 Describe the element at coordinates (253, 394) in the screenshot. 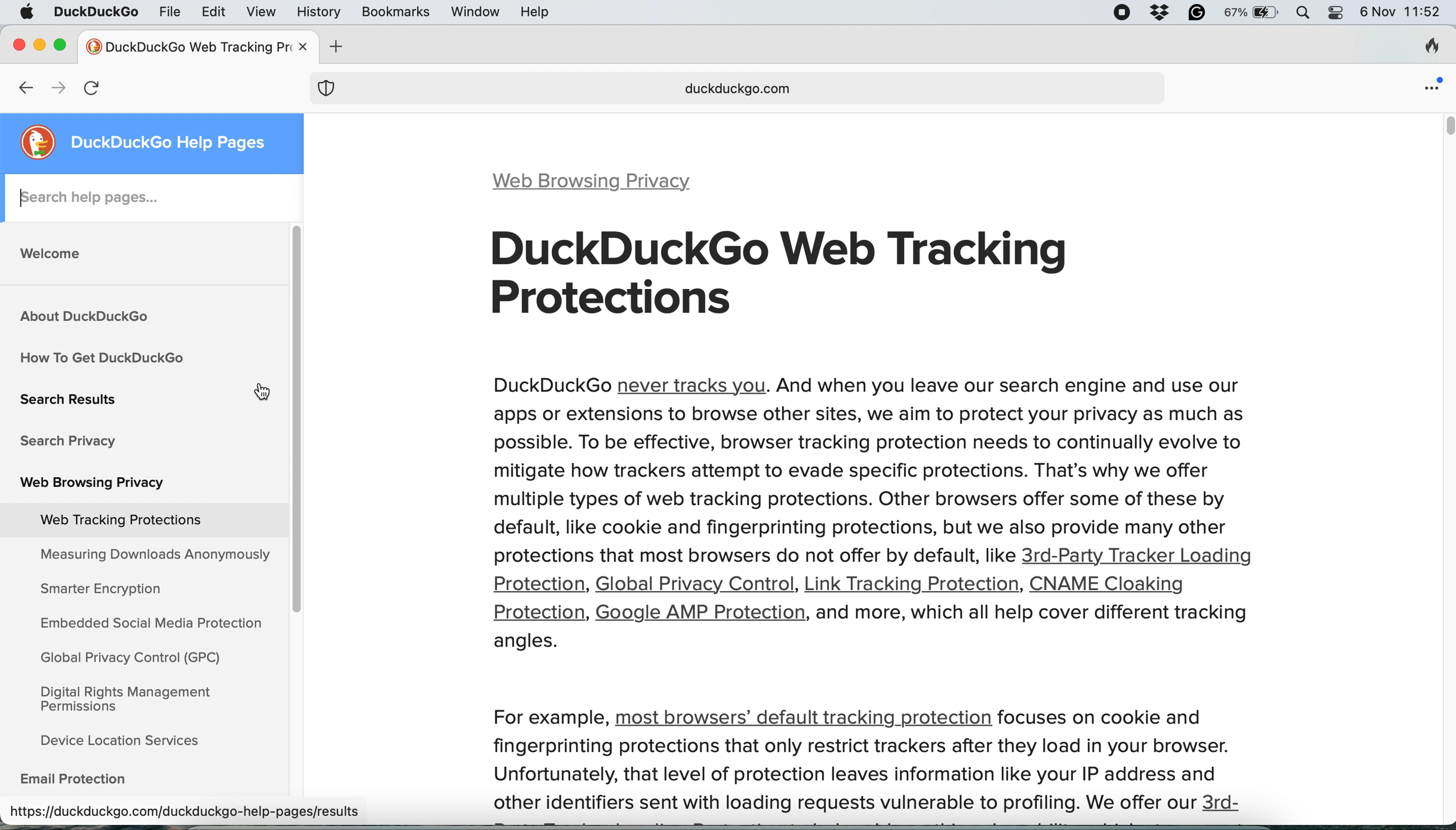

I see `cursor` at that location.